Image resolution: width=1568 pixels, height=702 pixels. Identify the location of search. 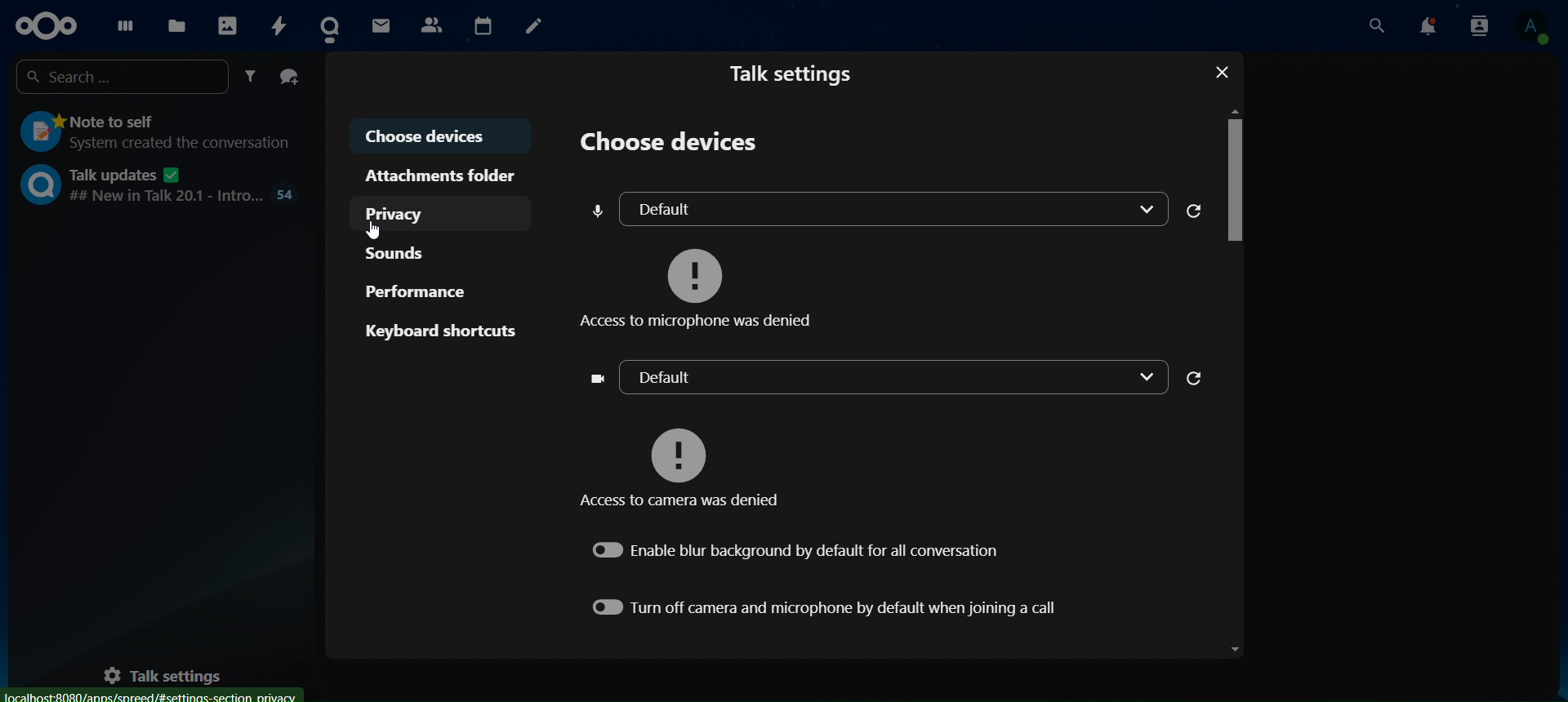
(124, 74).